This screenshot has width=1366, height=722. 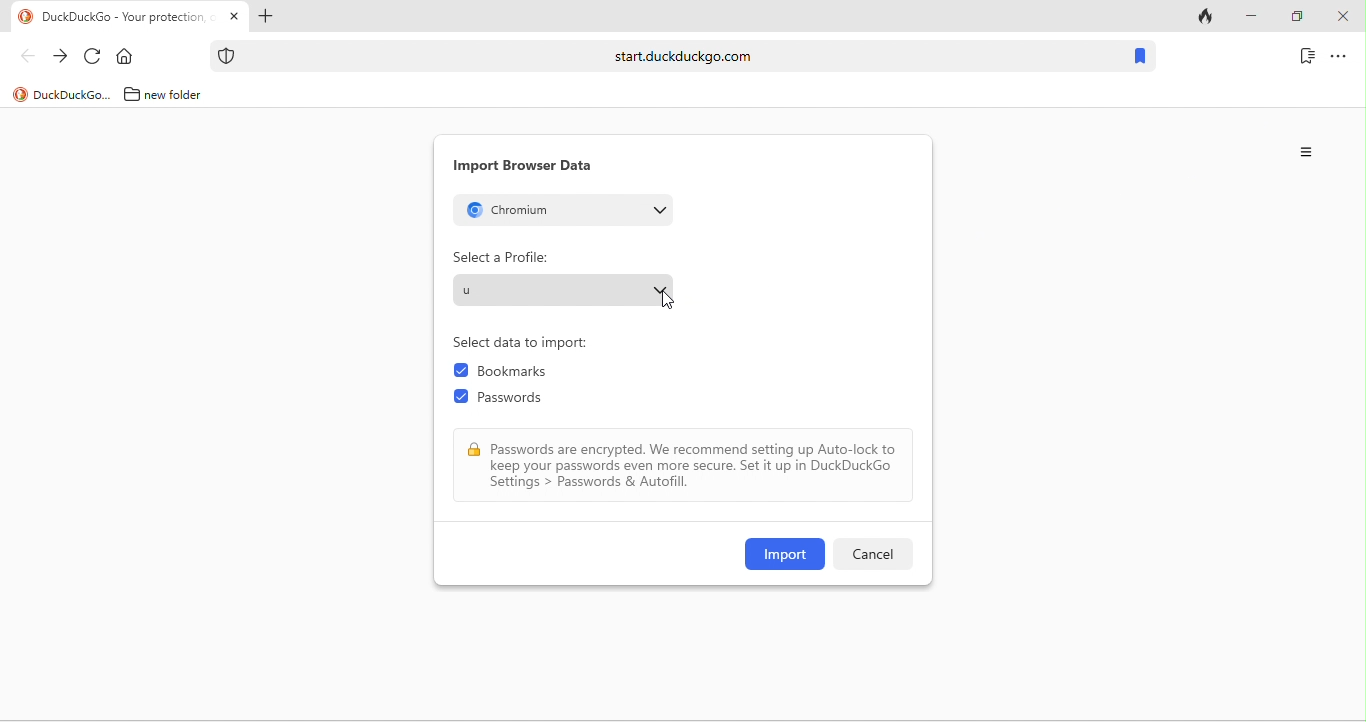 What do you see at coordinates (563, 209) in the screenshot?
I see `select browser` at bounding box center [563, 209].